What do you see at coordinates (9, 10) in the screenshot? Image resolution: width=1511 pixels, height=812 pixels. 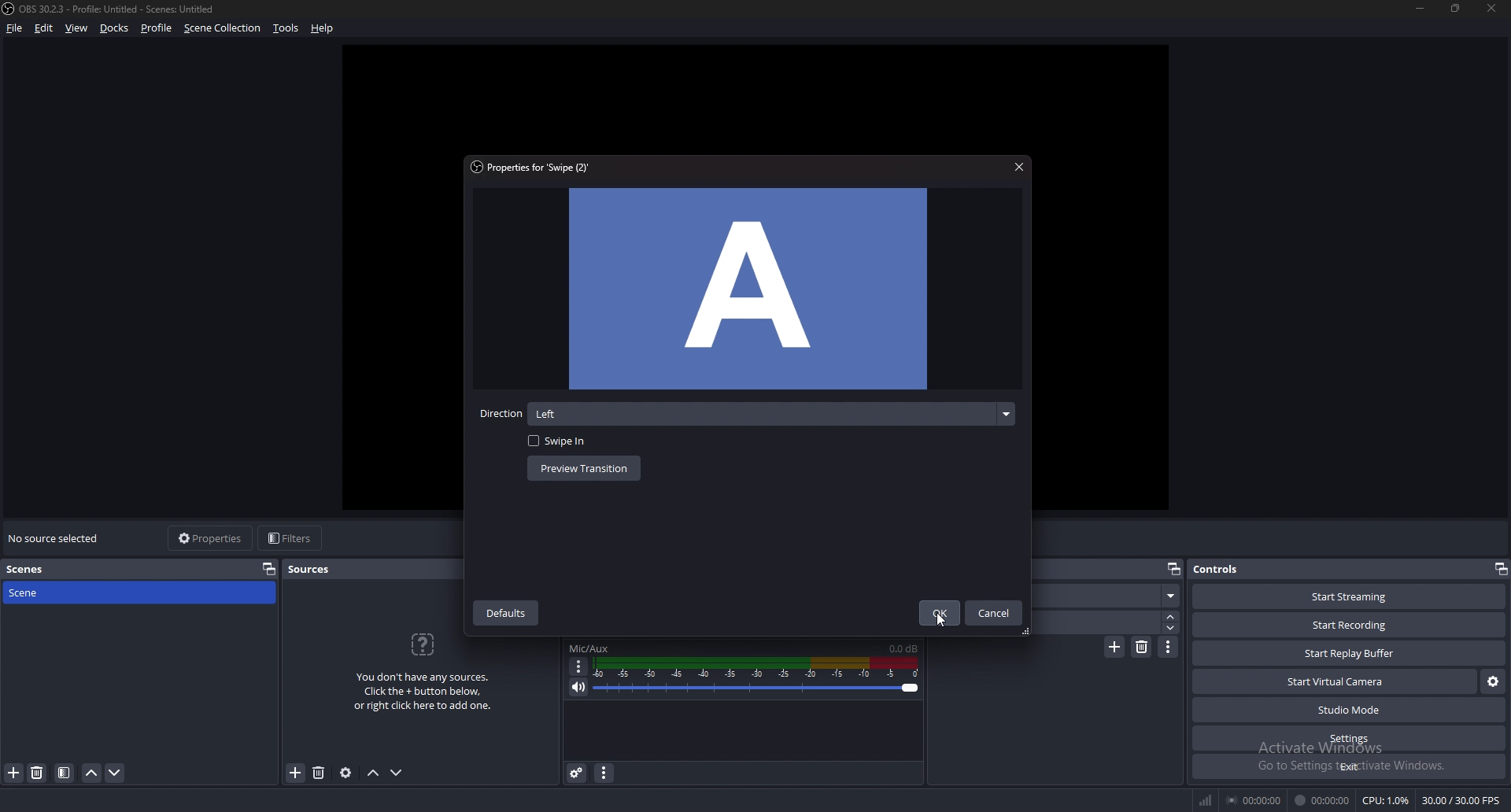 I see `obs logo` at bounding box center [9, 10].